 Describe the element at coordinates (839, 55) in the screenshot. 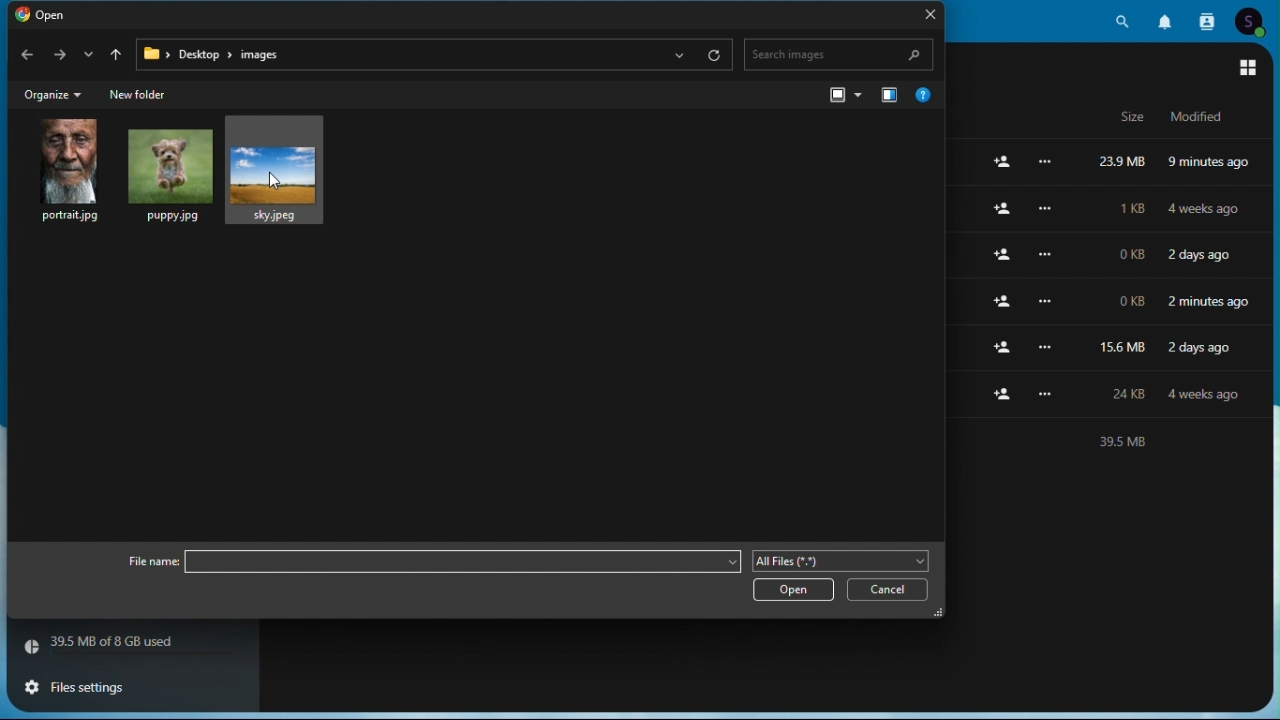

I see `Search images` at that location.